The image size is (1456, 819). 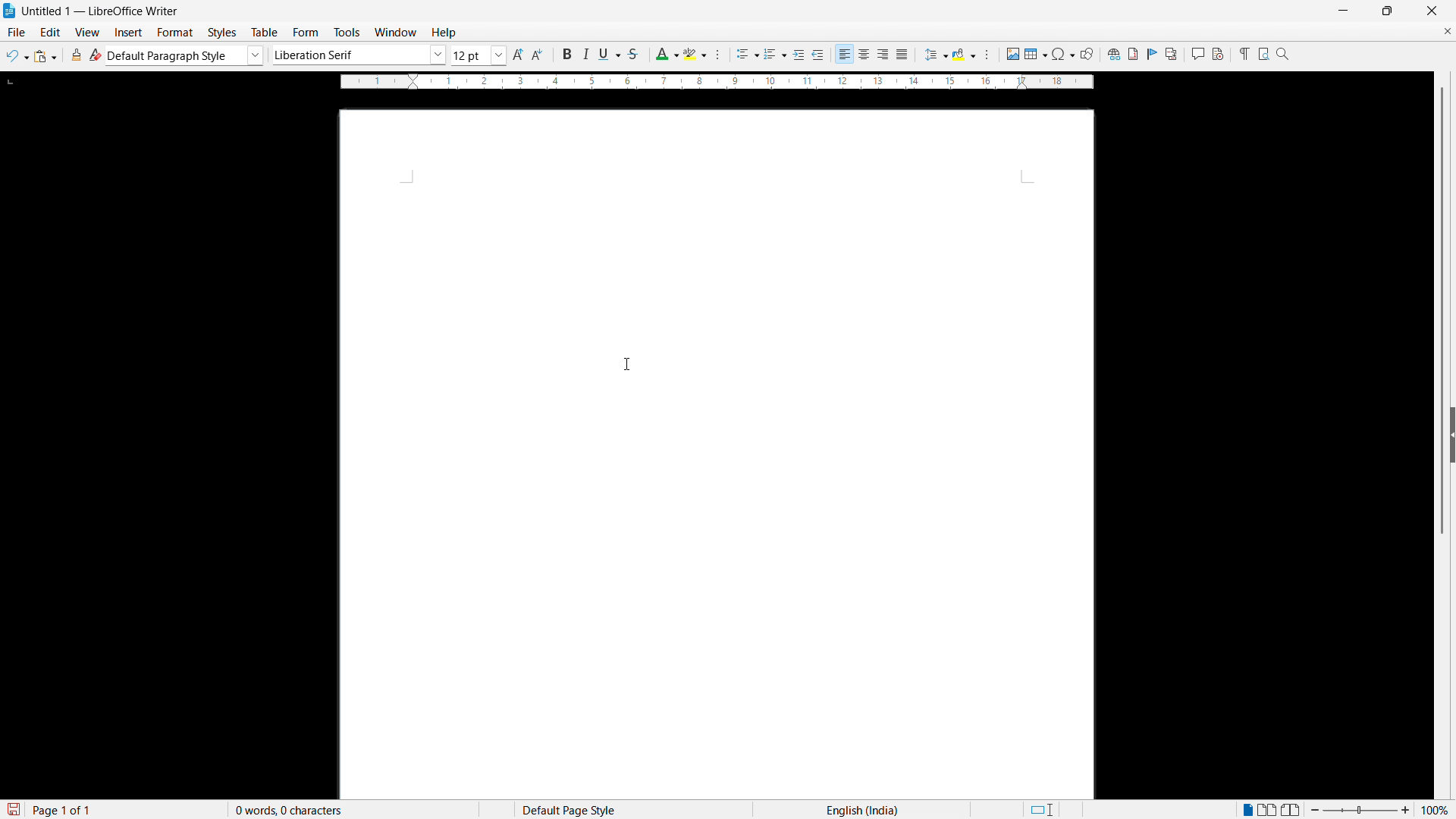 I want to click on Add table , so click(x=1036, y=54).